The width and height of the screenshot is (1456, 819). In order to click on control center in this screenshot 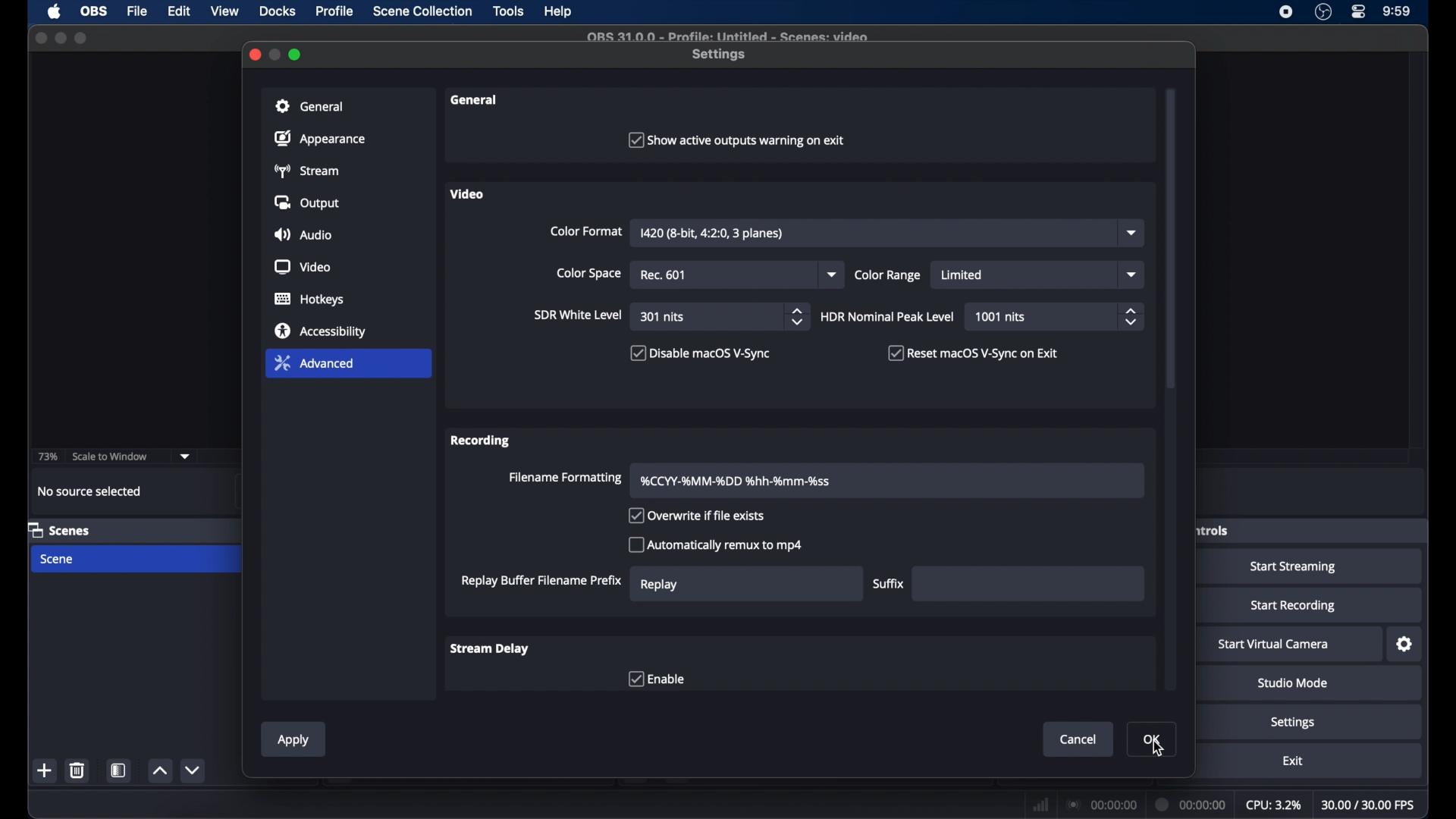, I will do `click(1359, 12)`.